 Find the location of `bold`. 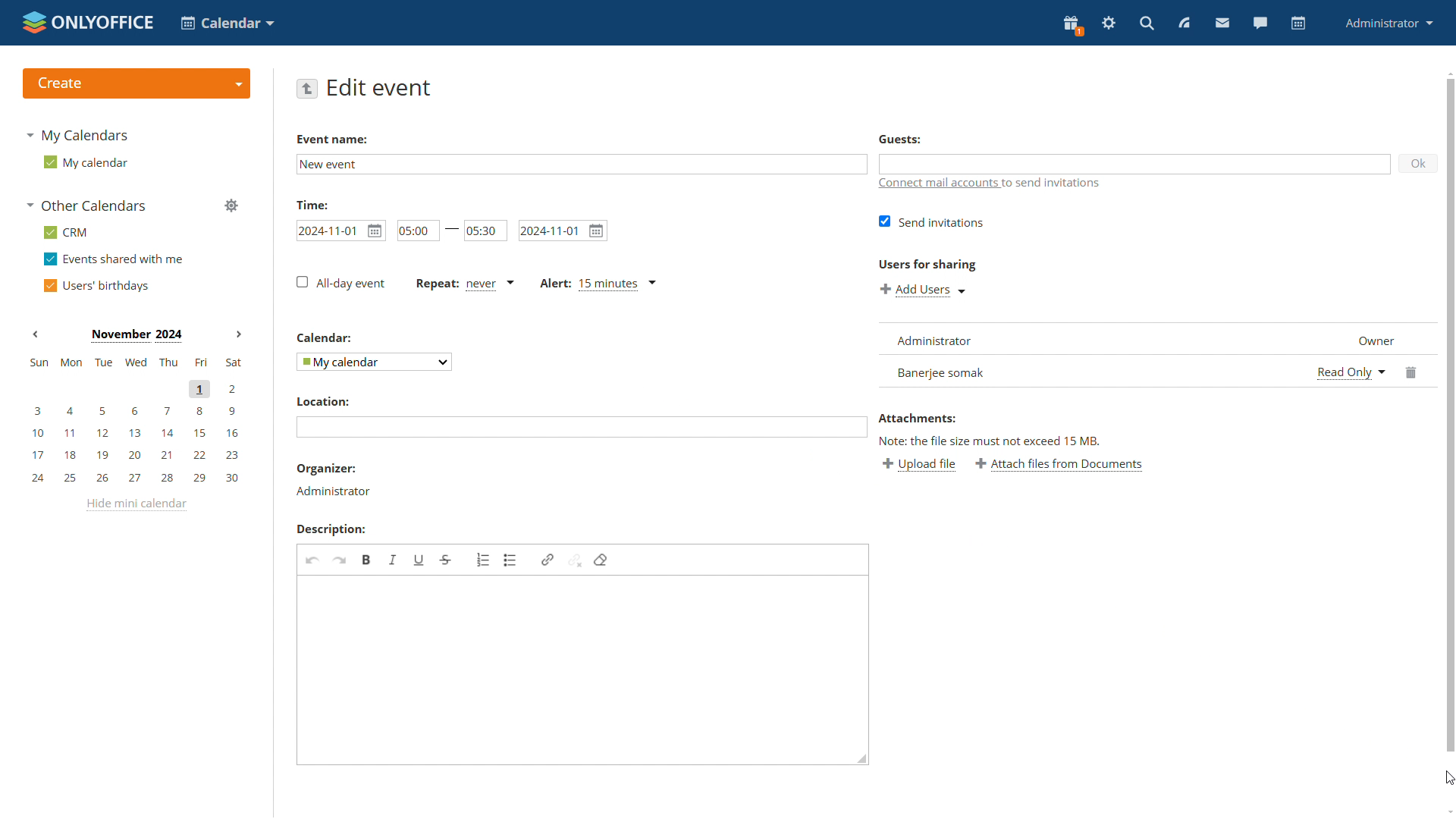

bold is located at coordinates (367, 560).